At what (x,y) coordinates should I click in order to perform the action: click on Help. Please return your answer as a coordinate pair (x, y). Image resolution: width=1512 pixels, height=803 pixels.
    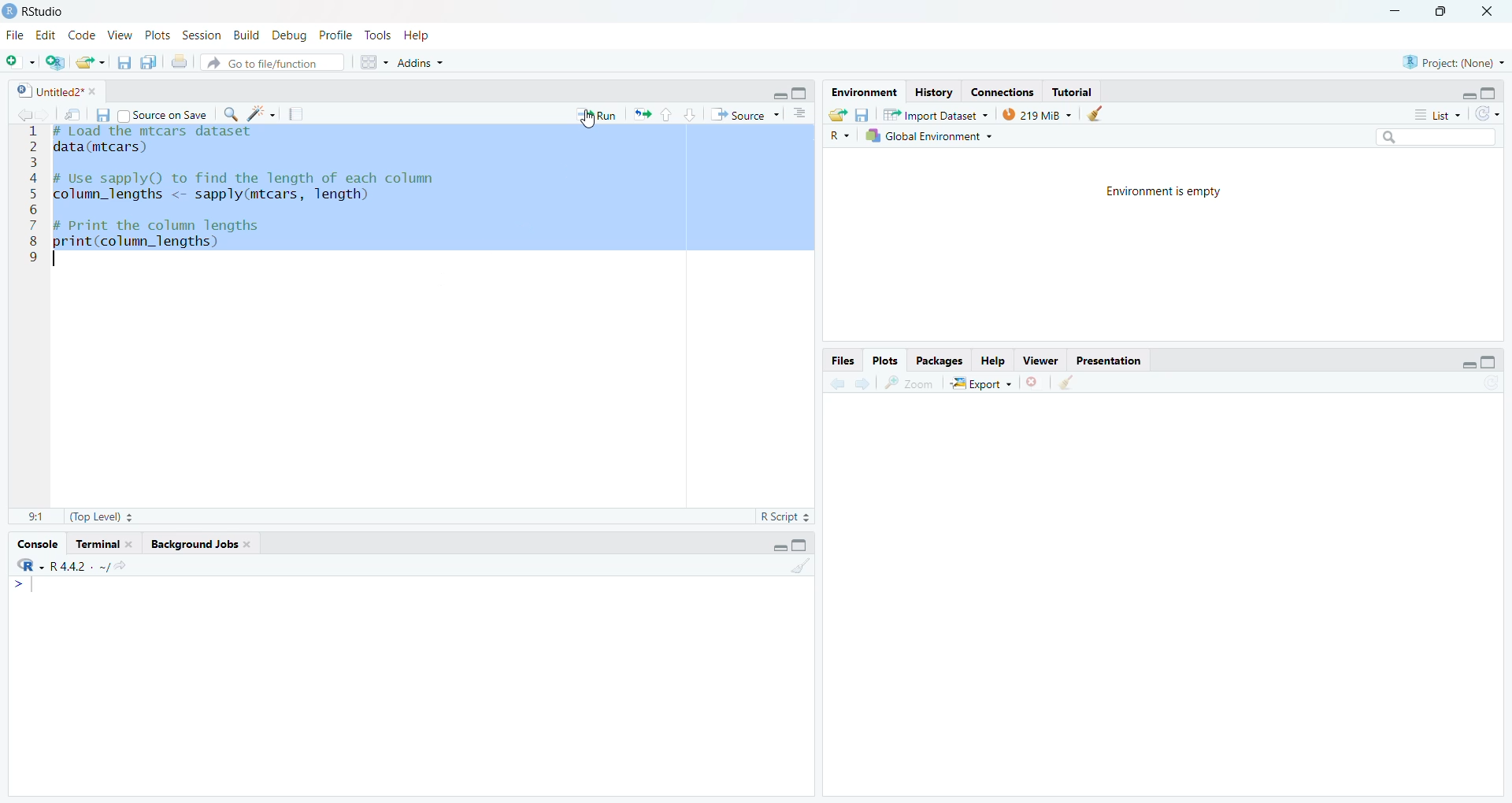
    Looking at the image, I should click on (418, 35).